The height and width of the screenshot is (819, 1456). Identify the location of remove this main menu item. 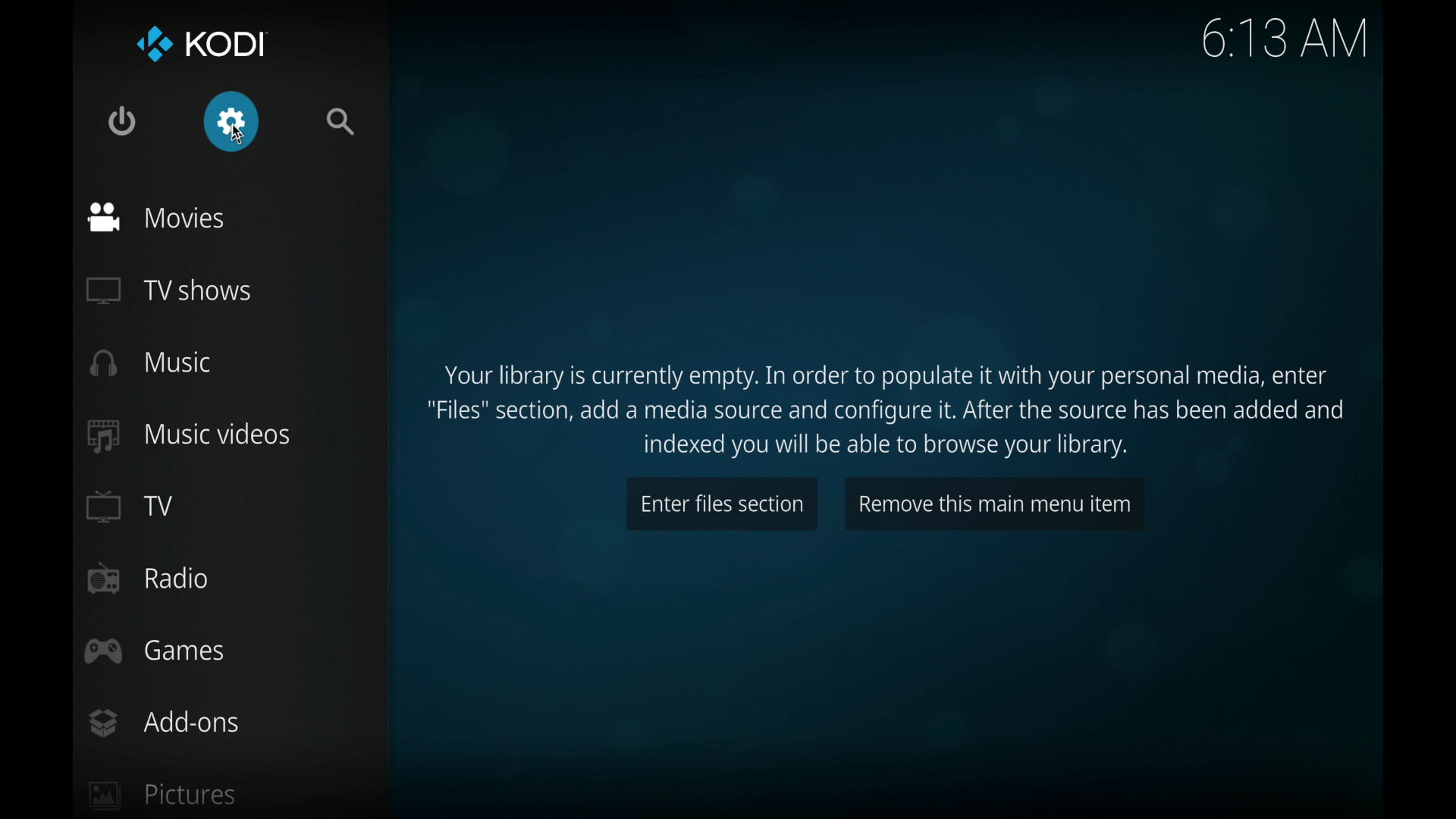
(993, 504).